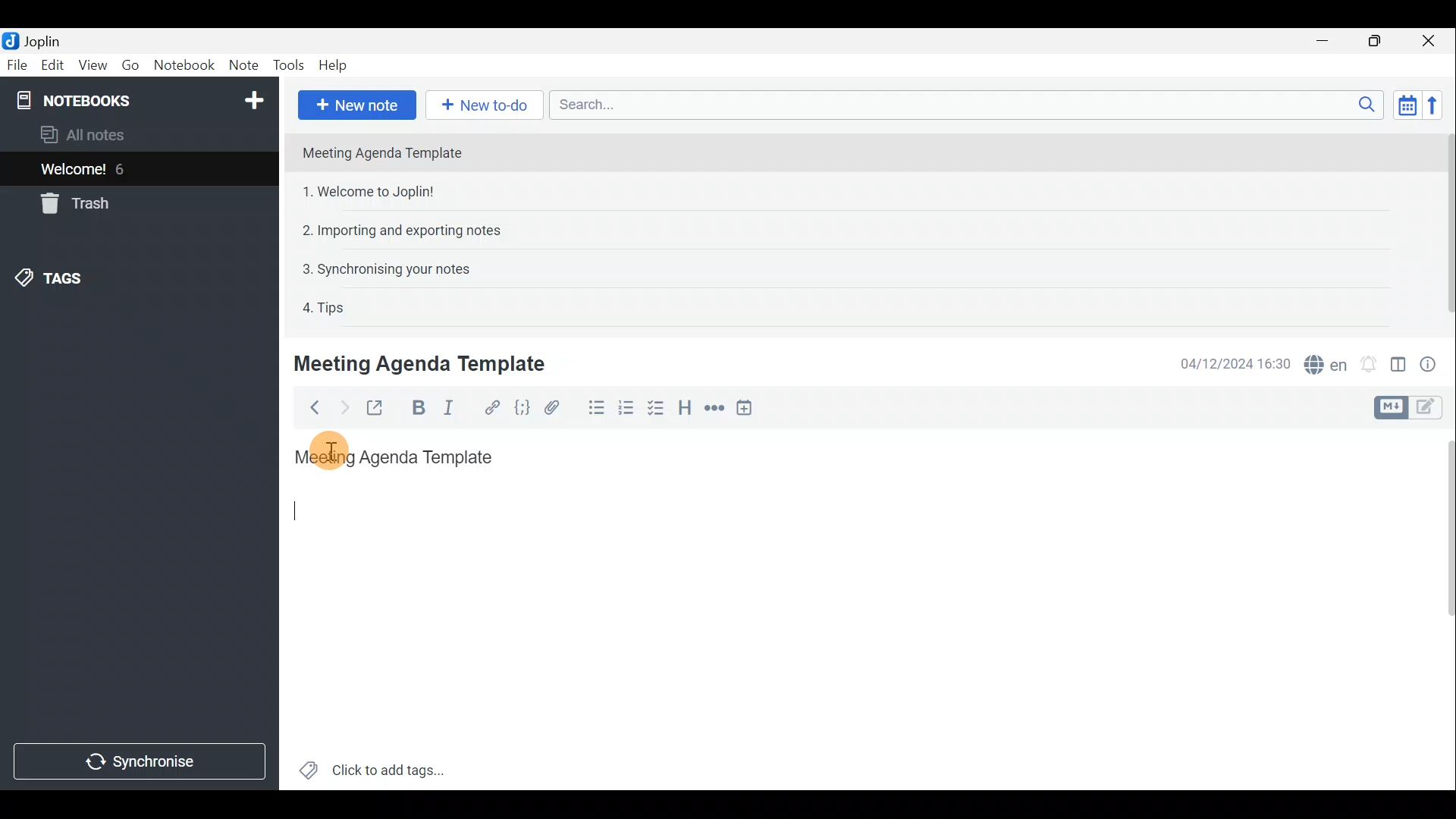 This screenshot has height=819, width=1456. Describe the element at coordinates (325, 307) in the screenshot. I see `4. Tips` at that location.